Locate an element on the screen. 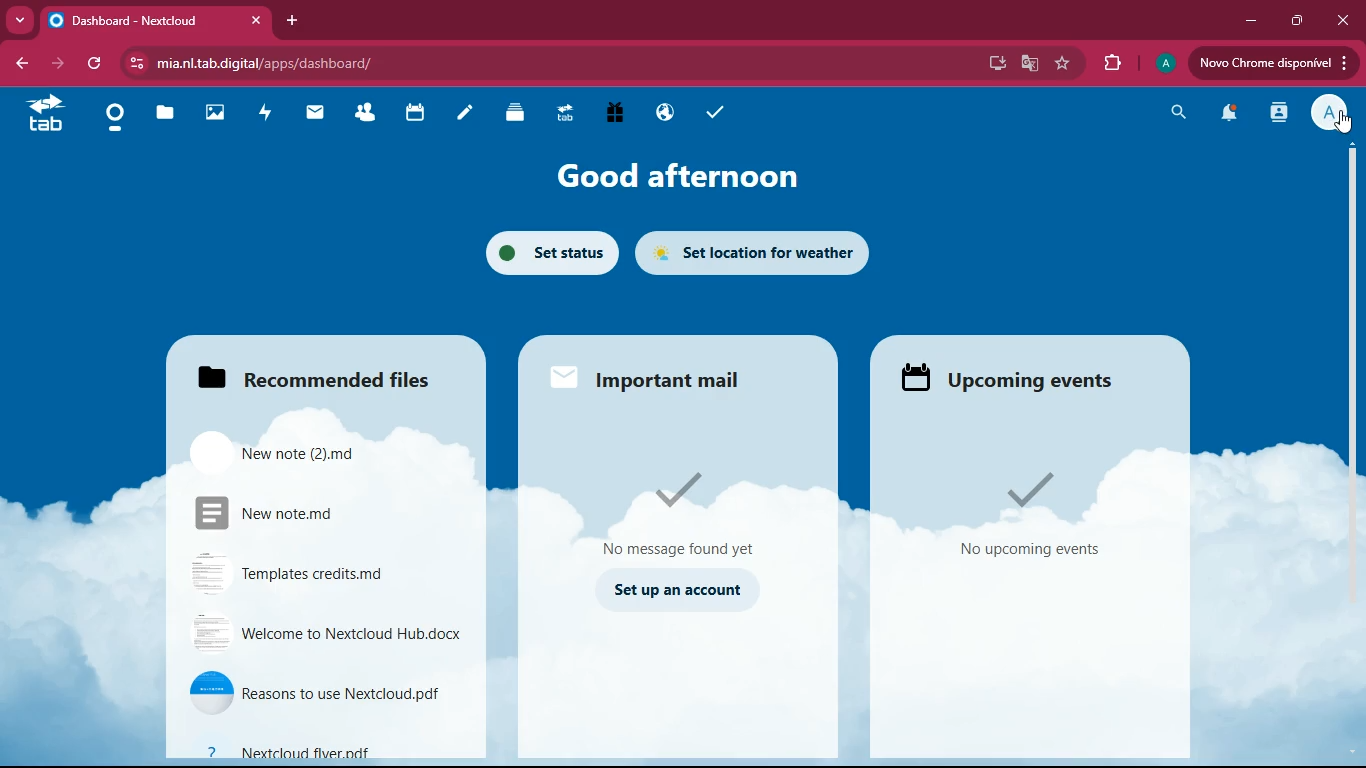 This screenshot has width=1366, height=768. public is located at coordinates (662, 114).